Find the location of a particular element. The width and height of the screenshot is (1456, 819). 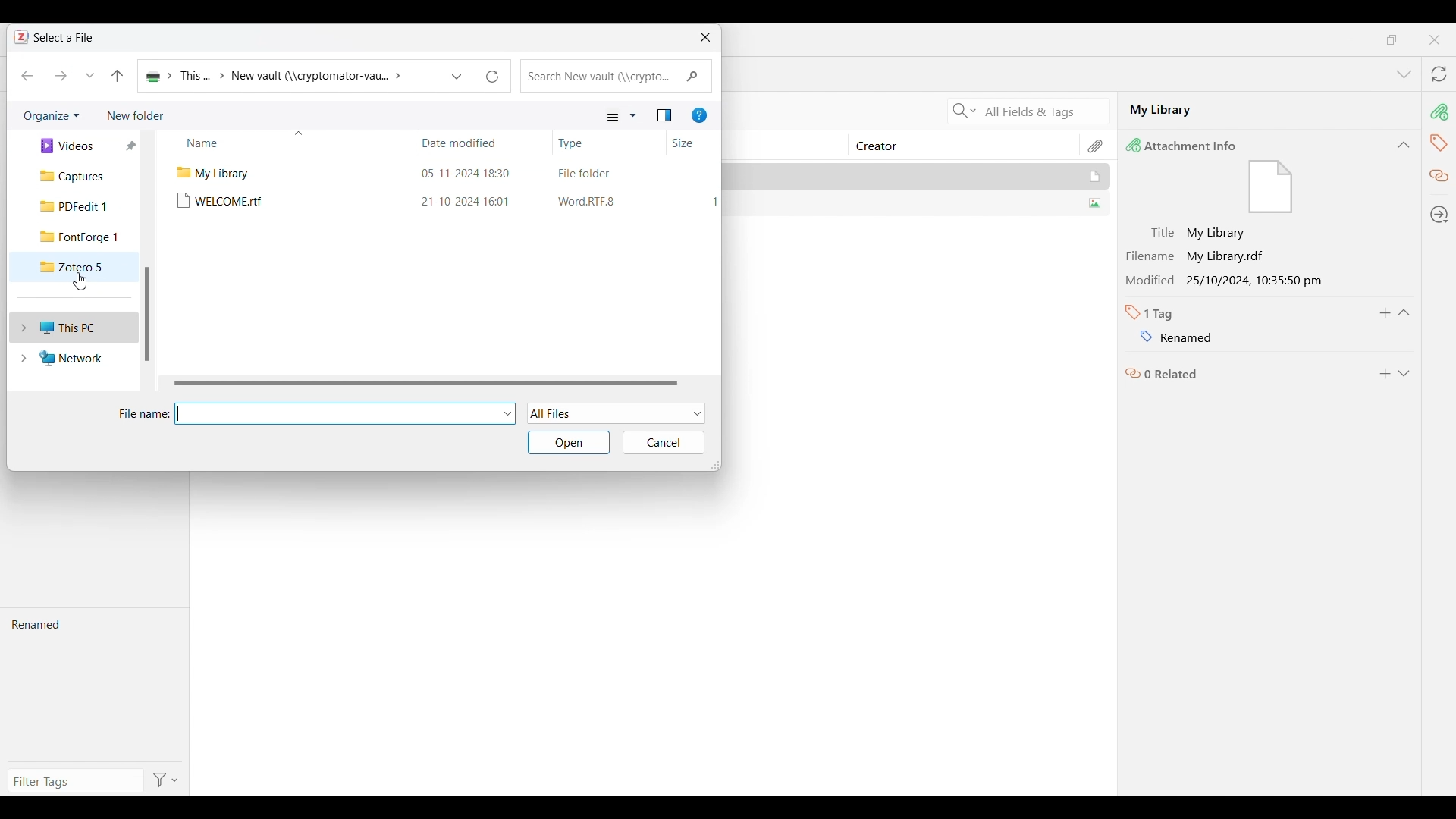

File name: is located at coordinates (138, 413).